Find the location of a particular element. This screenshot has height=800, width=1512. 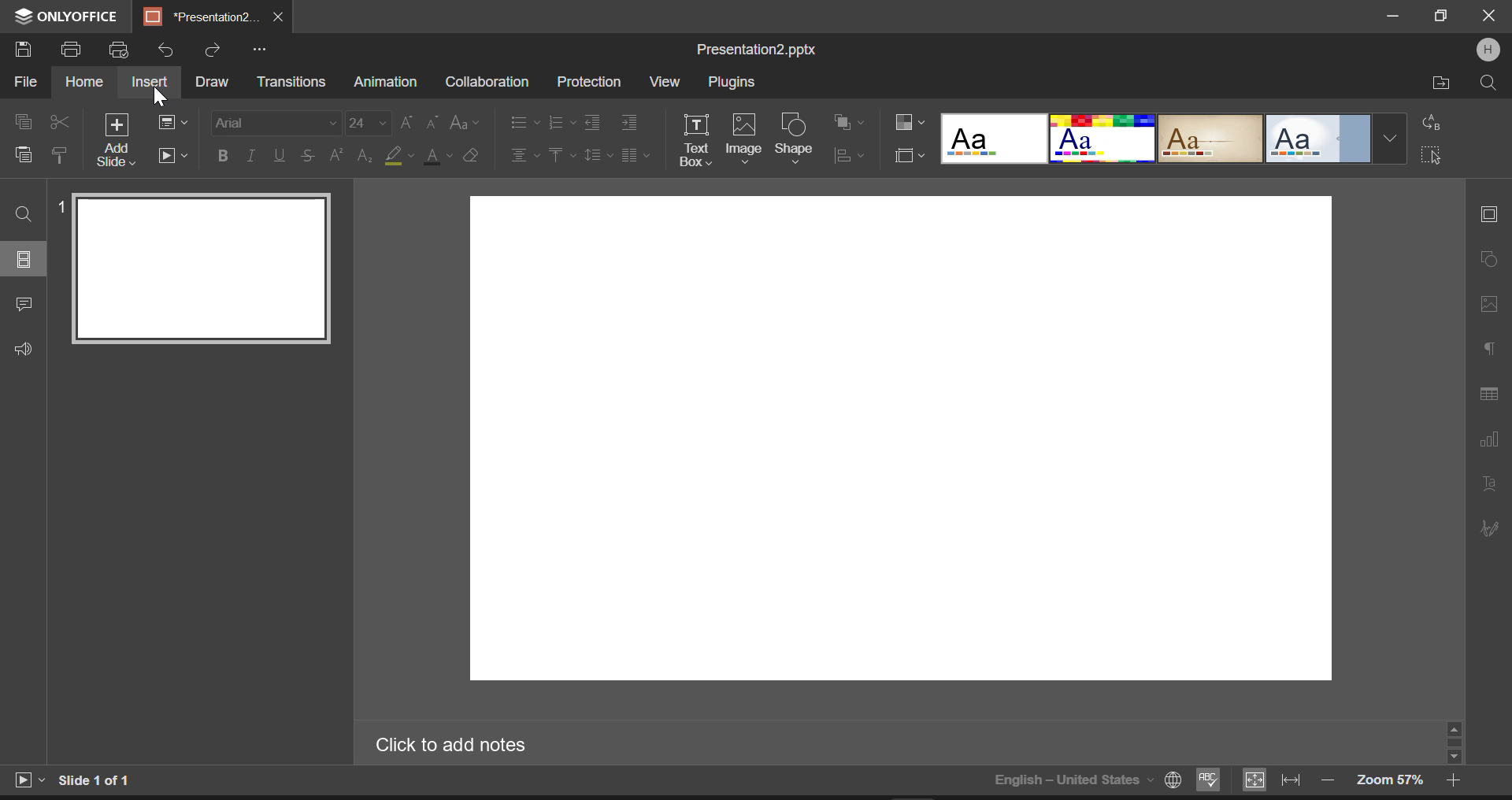

User is located at coordinates (1488, 50).